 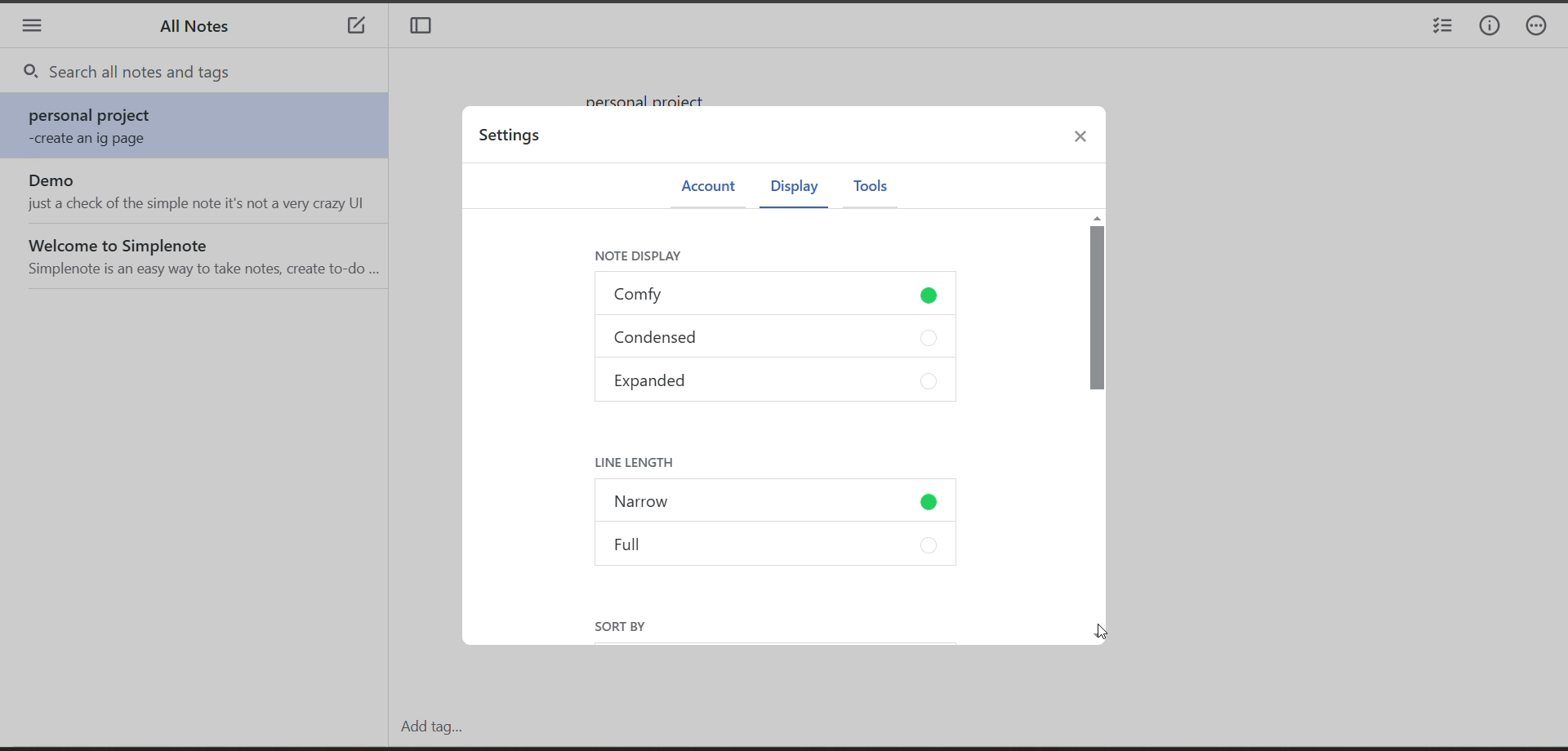 I want to click on sort by, so click(x=625, y=625).